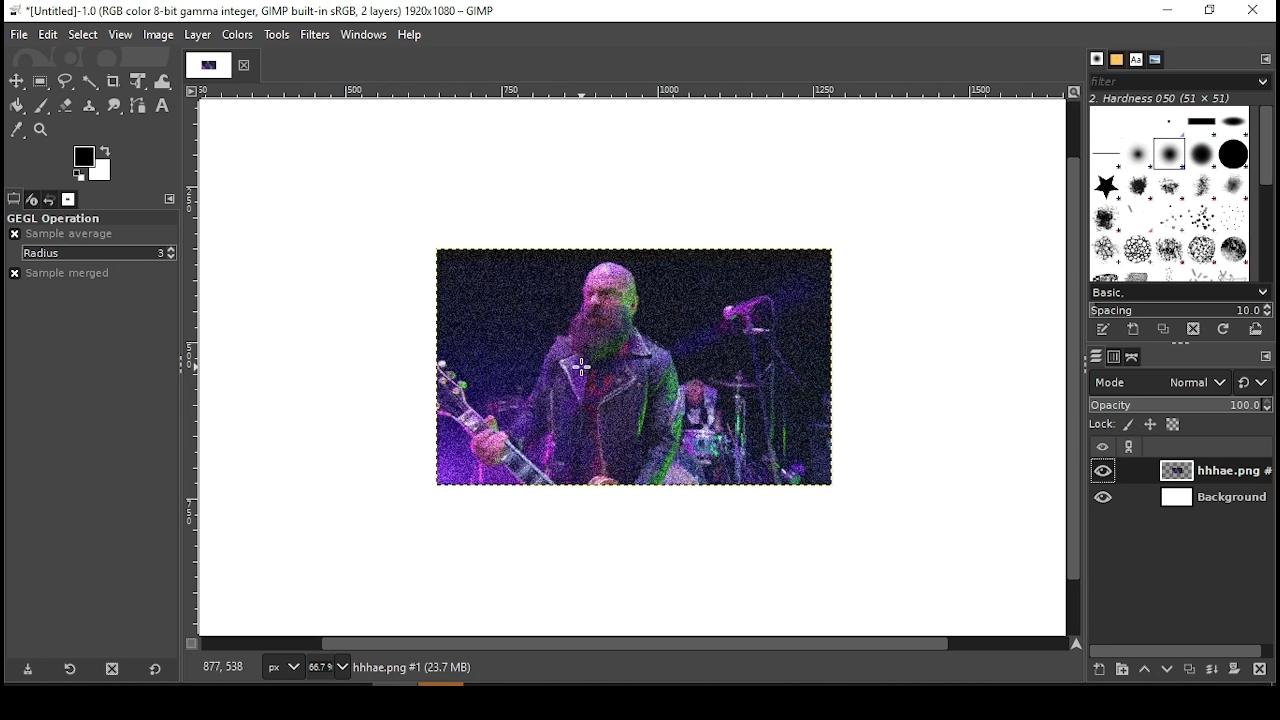  Describe the element at coordinates (1183, 293) in the screenshot. I see `select brush preset` at that location.